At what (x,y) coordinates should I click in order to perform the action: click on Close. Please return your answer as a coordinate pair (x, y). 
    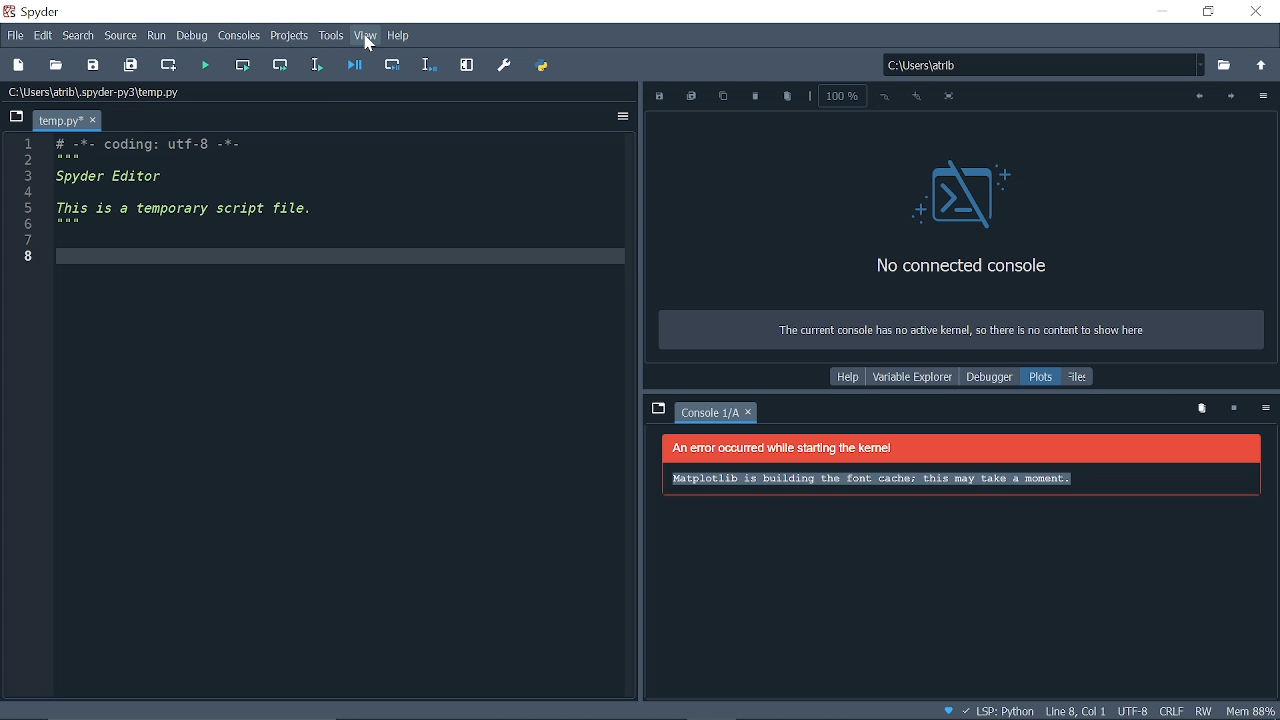
    Looking at the image, I should click on (1258, 13).